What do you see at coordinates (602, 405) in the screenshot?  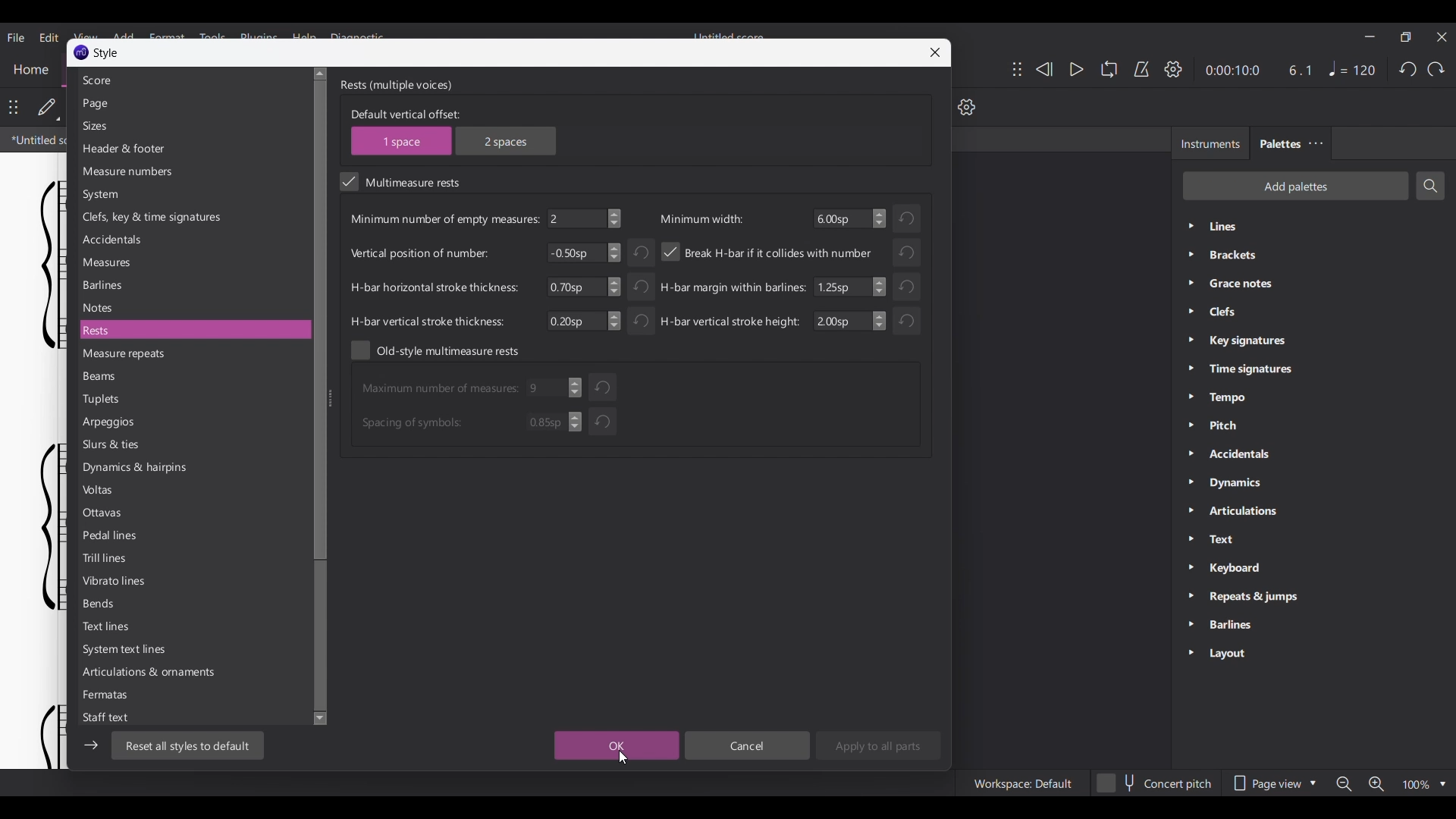 I see `Undo respective inputs` at bounding box center [602, 405].